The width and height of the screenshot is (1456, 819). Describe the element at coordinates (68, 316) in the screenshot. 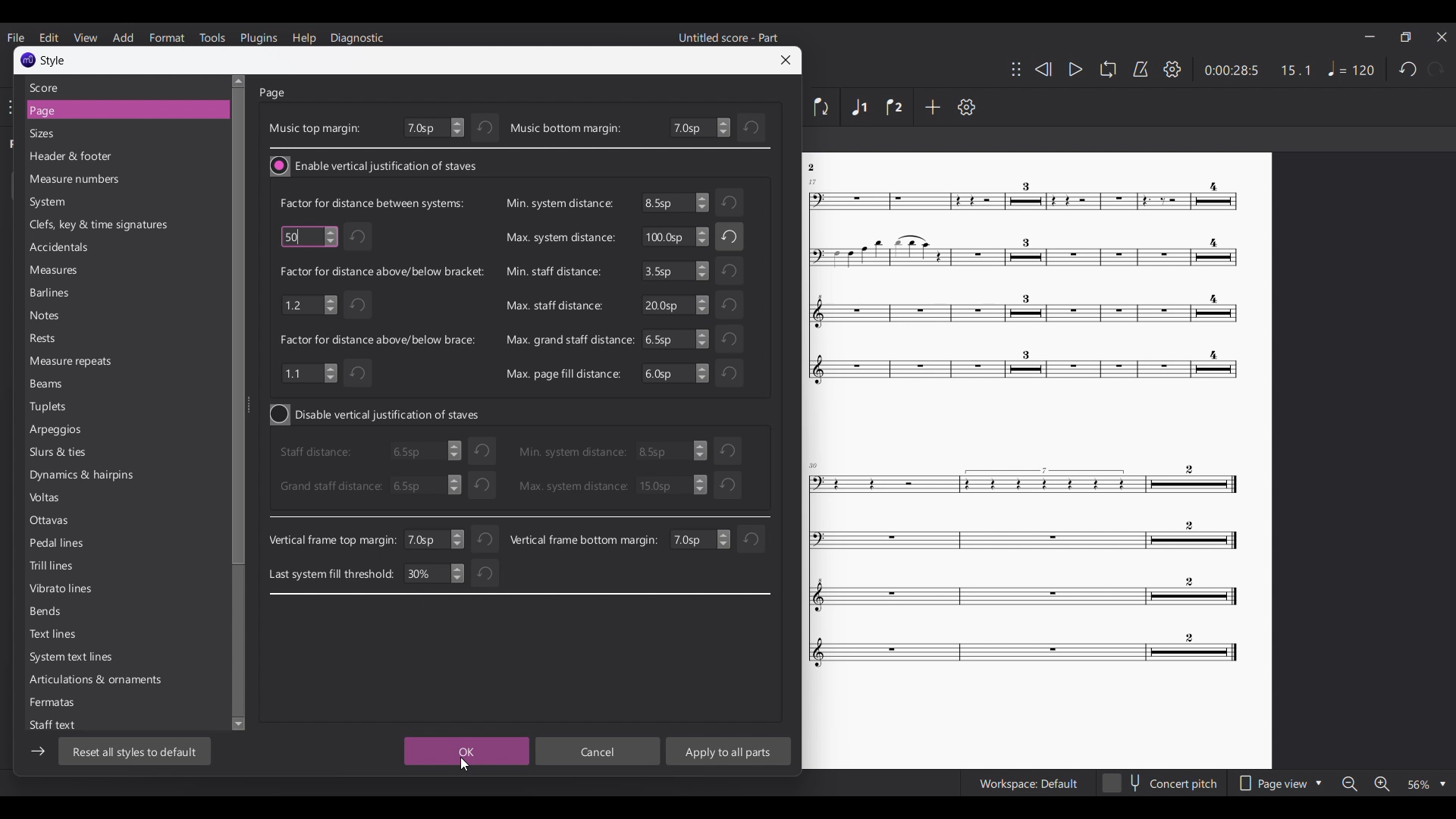

I see `Notes` at that location.